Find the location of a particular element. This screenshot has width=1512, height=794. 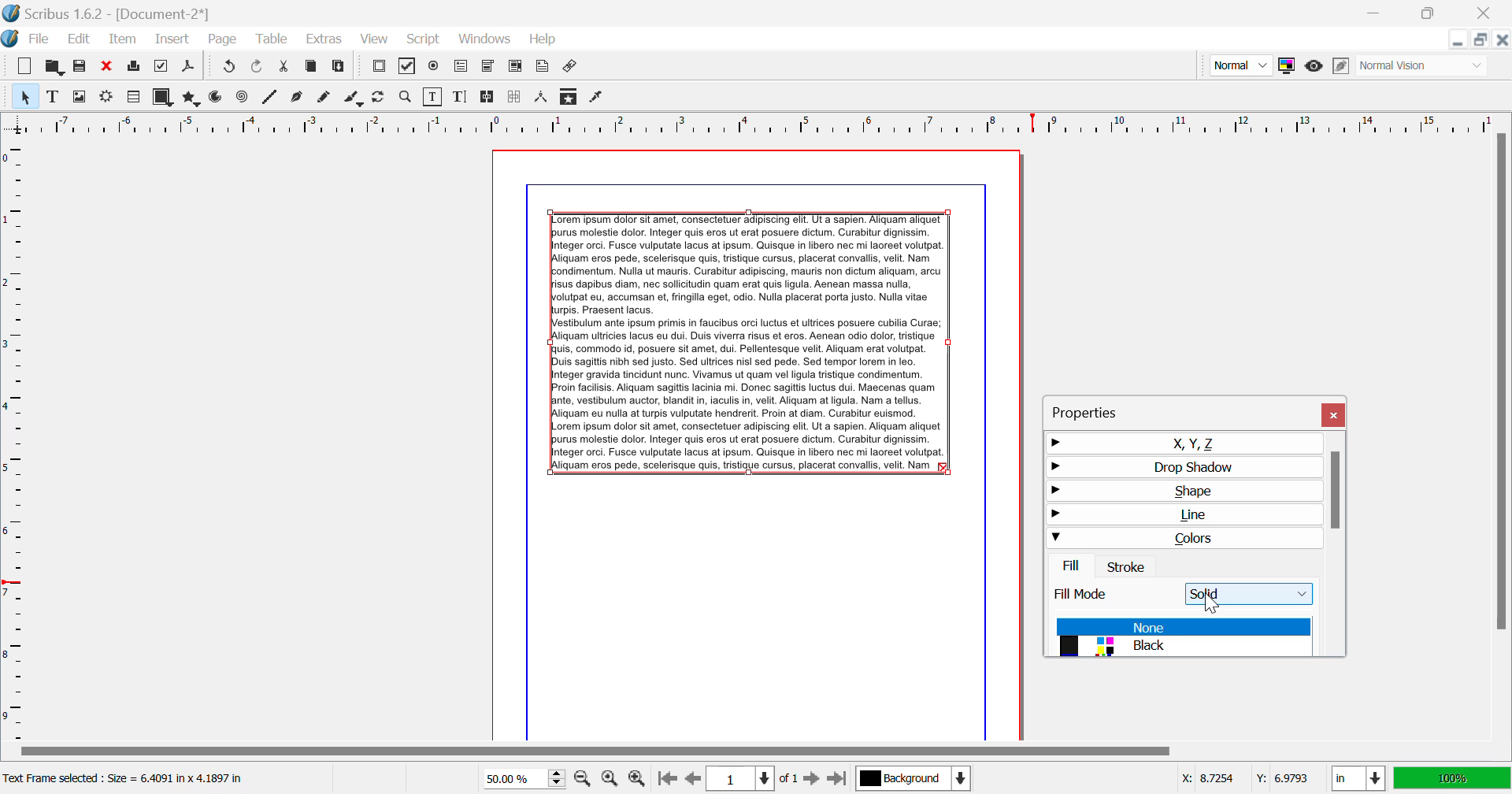

Scroll Bar is located at coordinates (1336, 544).